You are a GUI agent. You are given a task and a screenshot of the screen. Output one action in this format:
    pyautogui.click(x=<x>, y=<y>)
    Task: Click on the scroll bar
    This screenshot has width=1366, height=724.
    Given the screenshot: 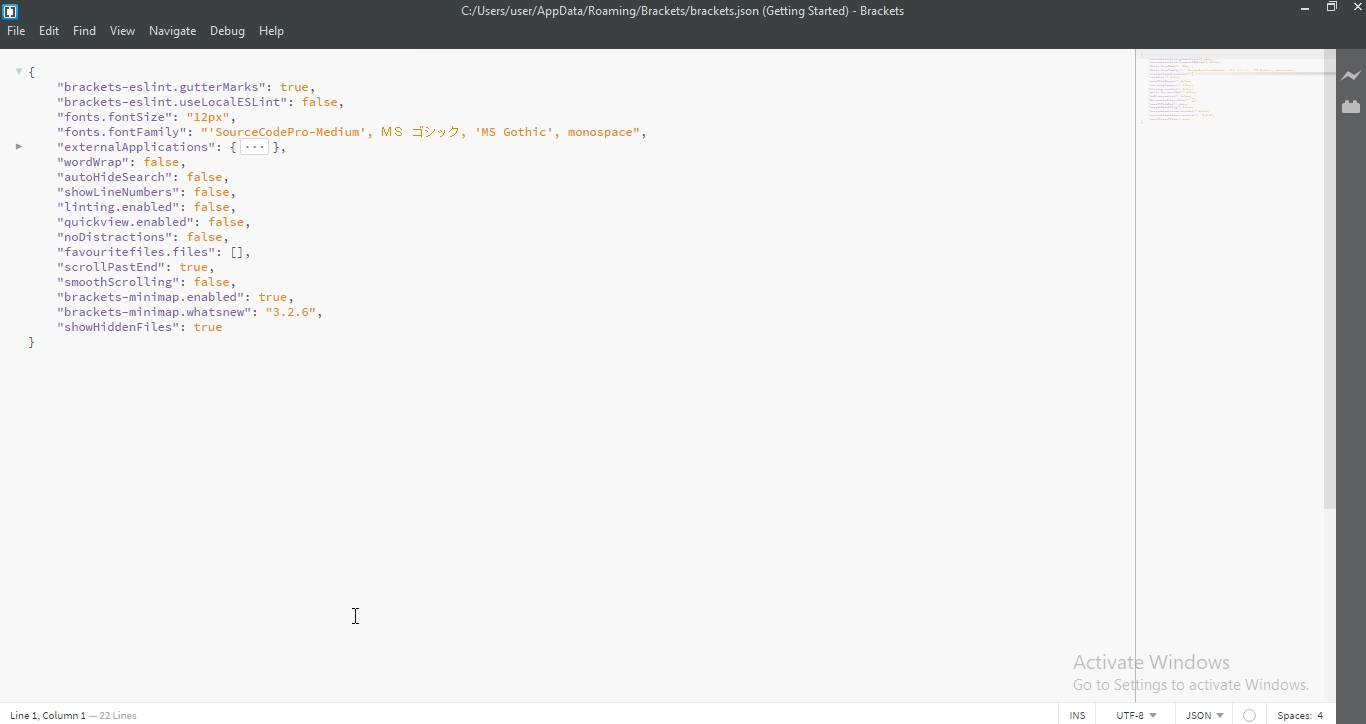 What is the action you would take?
    pyautogui.click(x=1328, y=278)
    